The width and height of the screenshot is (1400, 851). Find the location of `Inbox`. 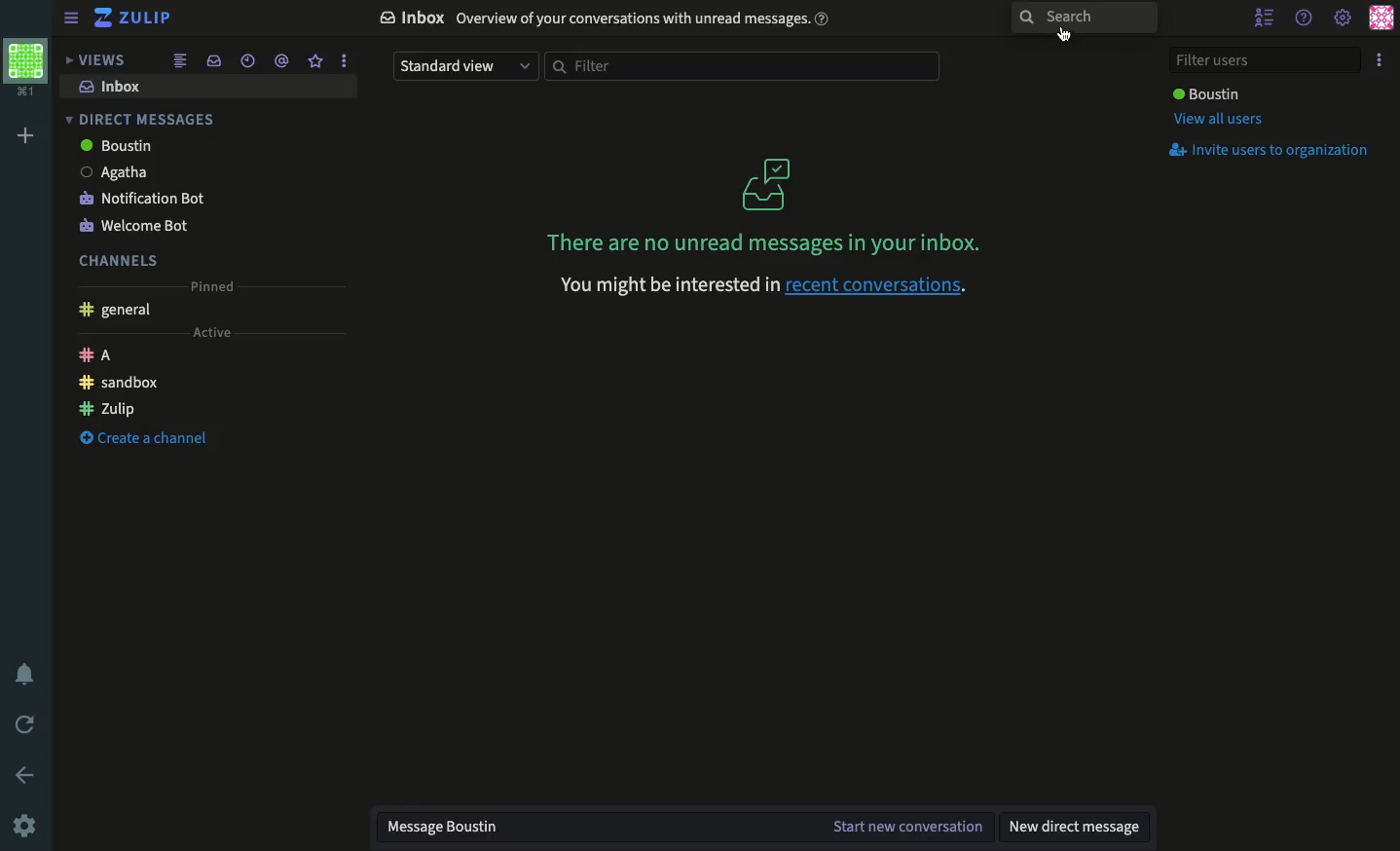

Inbox is located at coordinates (607, 18).